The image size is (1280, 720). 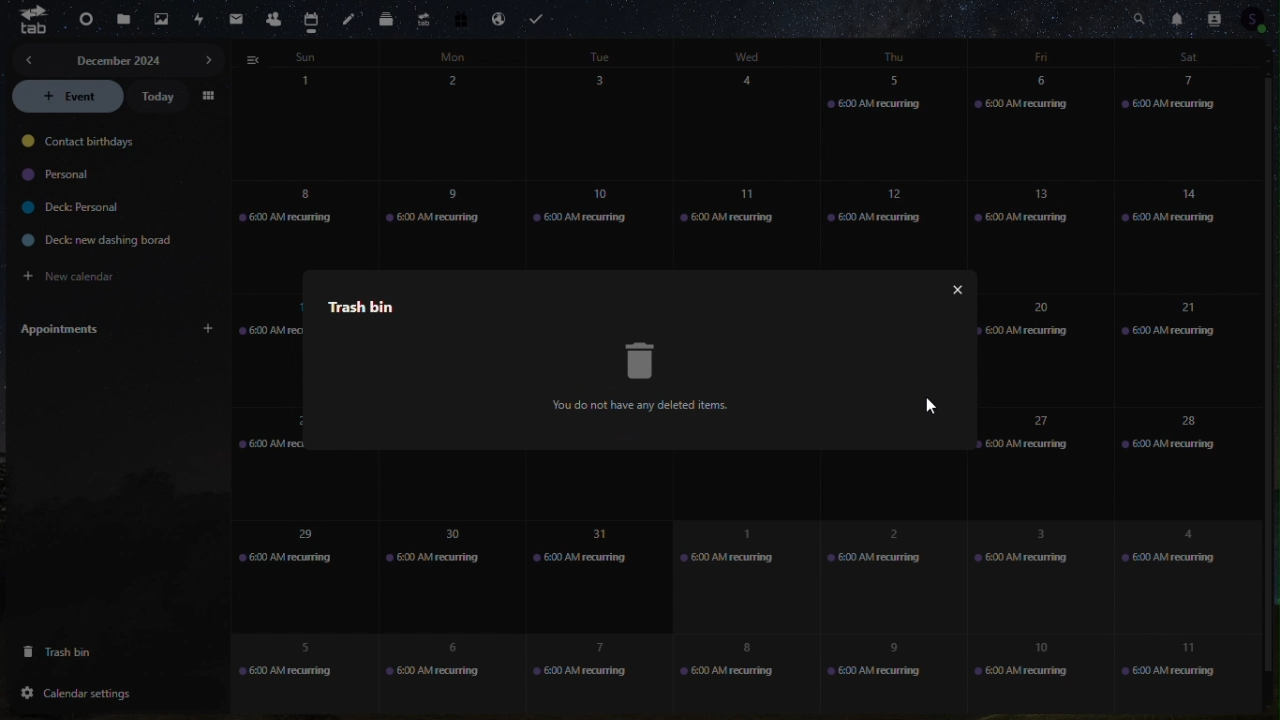 I want to click on 3, so click(x=1028, y=574).